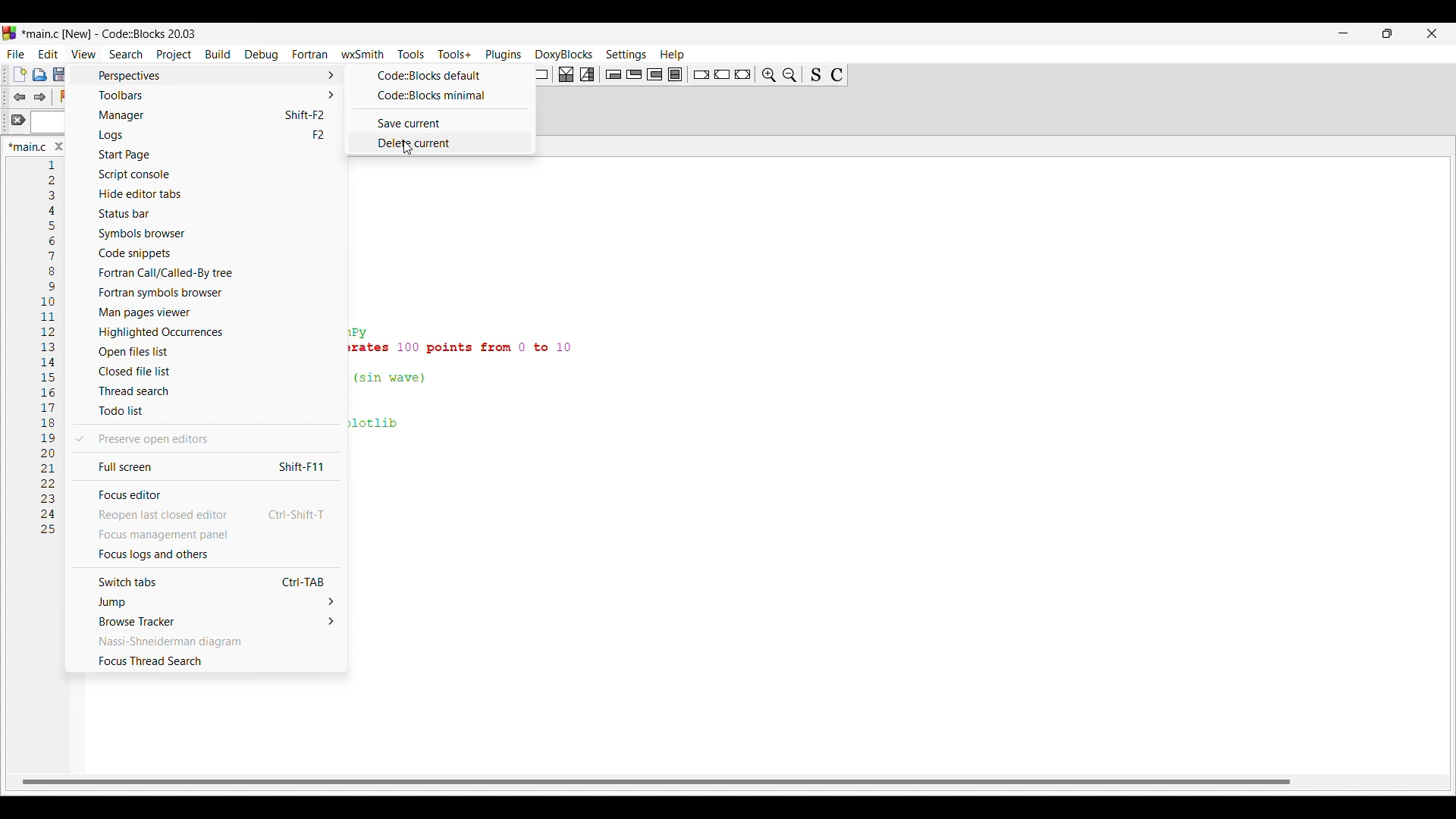 The height and width of the screenshot is (819, 1456). Describe the element at coordinates (218, 54) in the screenshot. I see `Build menu` at that location.